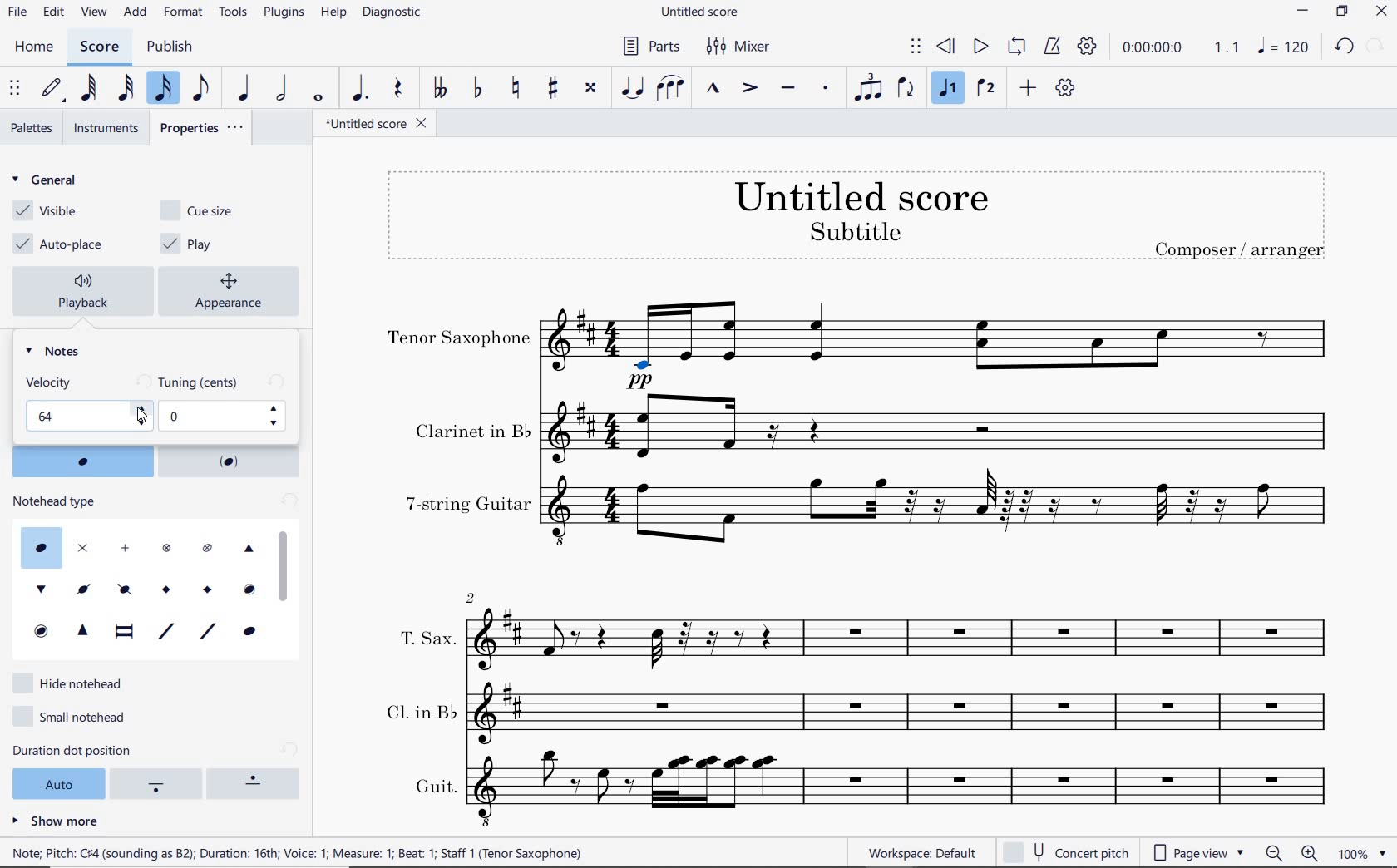 The width and height of the screenshot is (1397, 868). I want to click on text, so click(854, 230).